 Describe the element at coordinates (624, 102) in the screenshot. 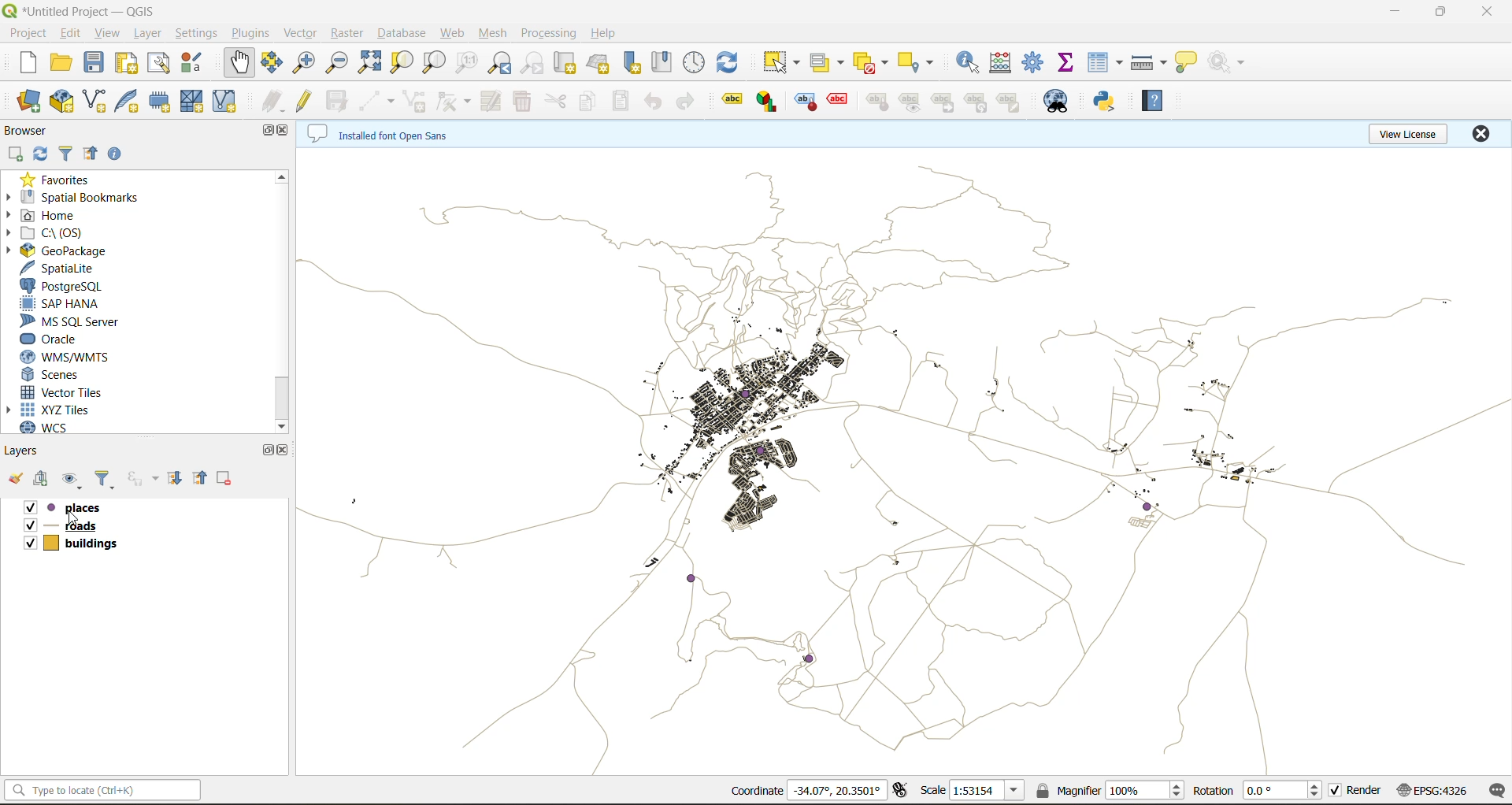

I see `paste` at that location.